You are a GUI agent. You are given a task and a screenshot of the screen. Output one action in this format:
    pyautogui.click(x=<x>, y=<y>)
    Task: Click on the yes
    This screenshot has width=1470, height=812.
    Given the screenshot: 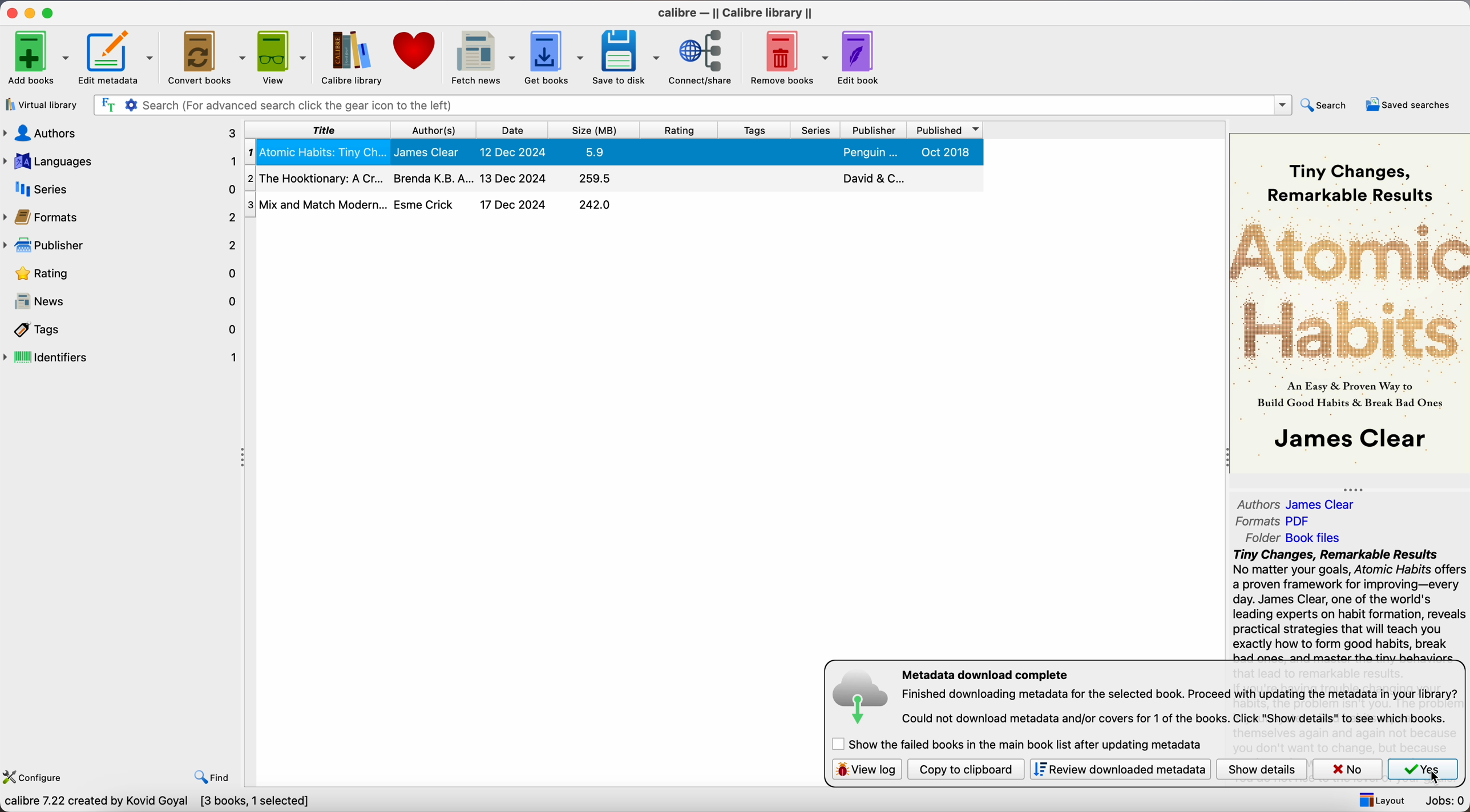 What is the action you would take?
    pyautogui.click(x=1423, y=769)
    